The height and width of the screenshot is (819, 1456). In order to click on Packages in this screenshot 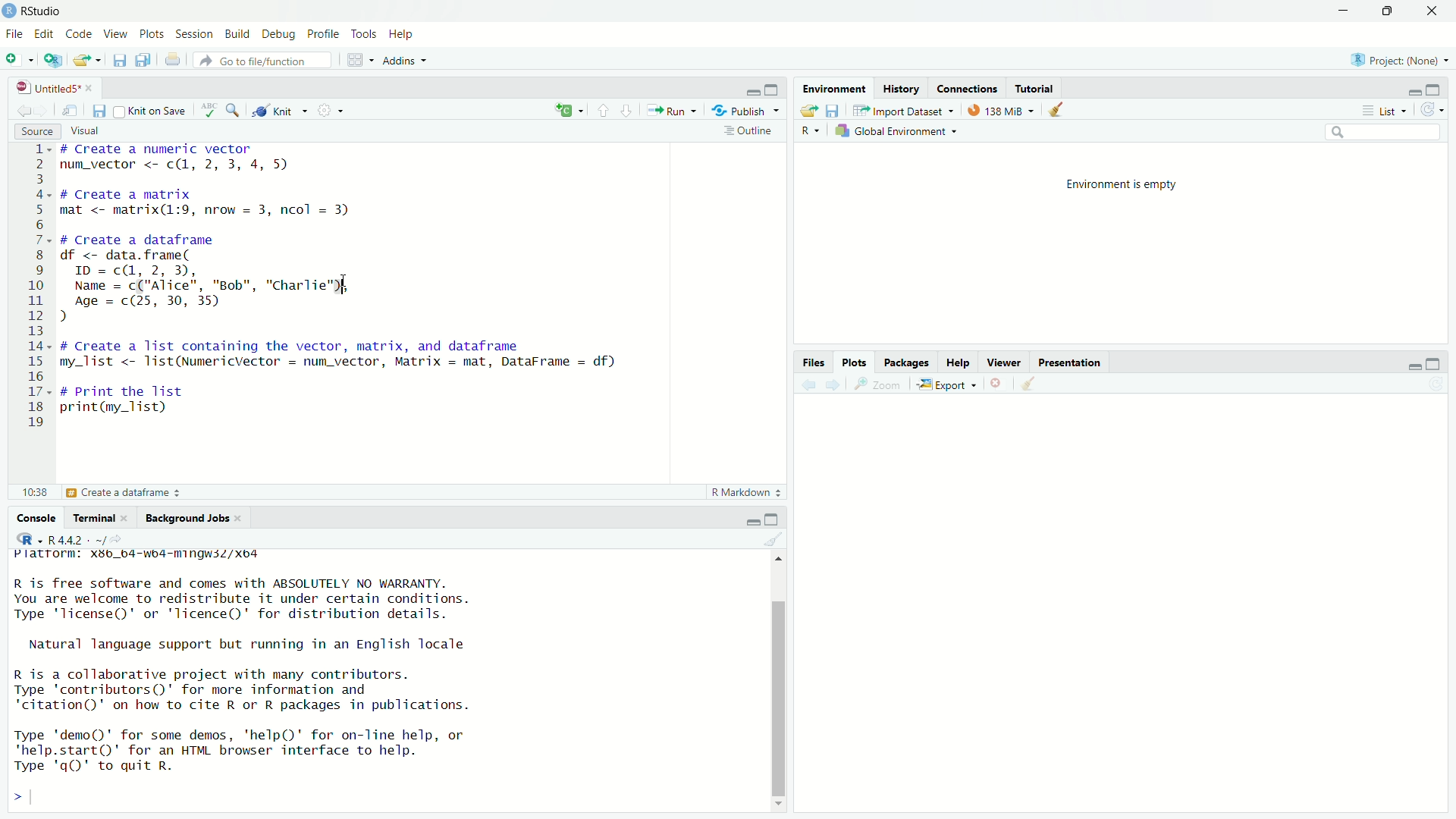, I will do `click(907, 363)`.